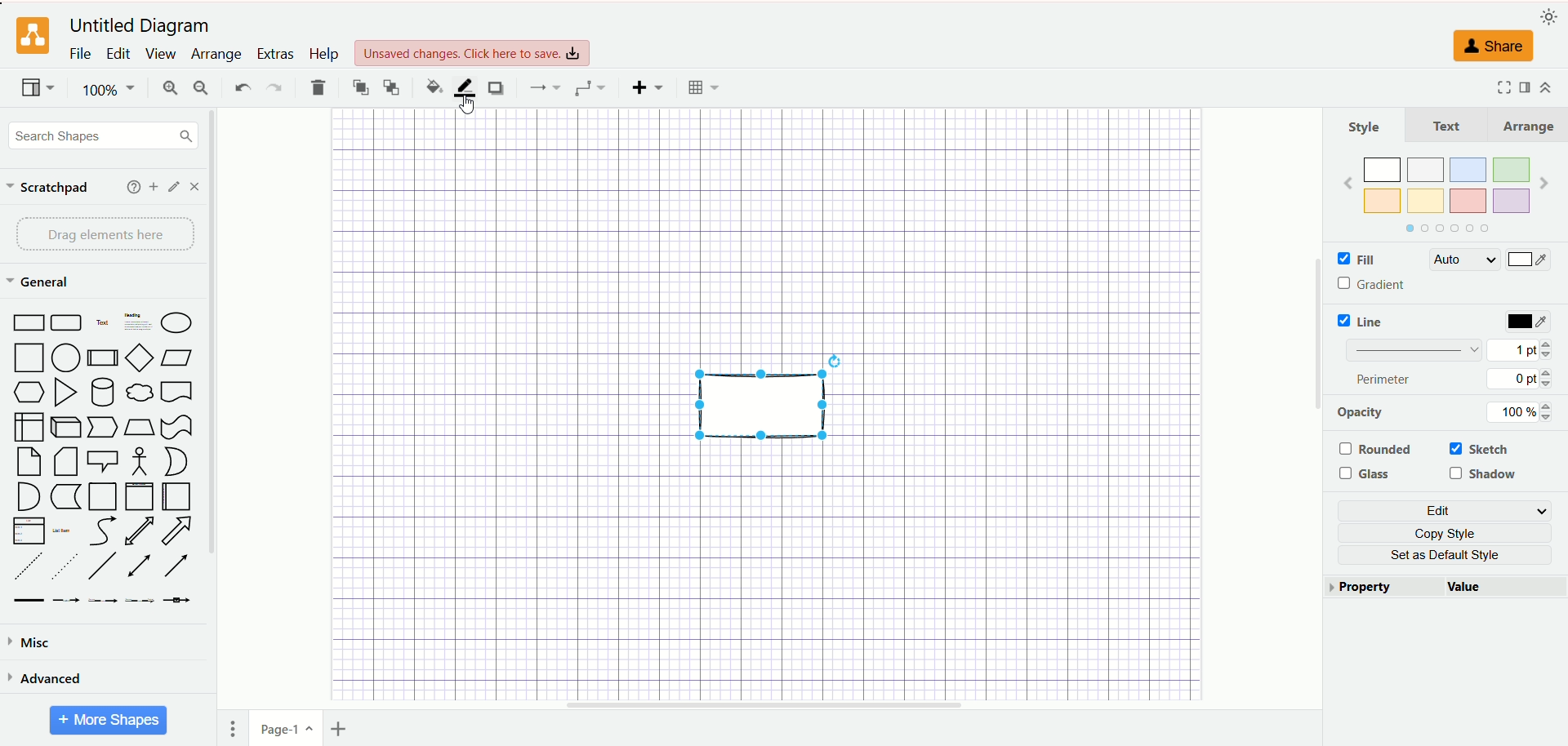 The height and width of the screenshot is (746, 1568). What do you see at coordinates (359, 87) in the screenshot?
I see `to front` at bounding box center [359, 87].